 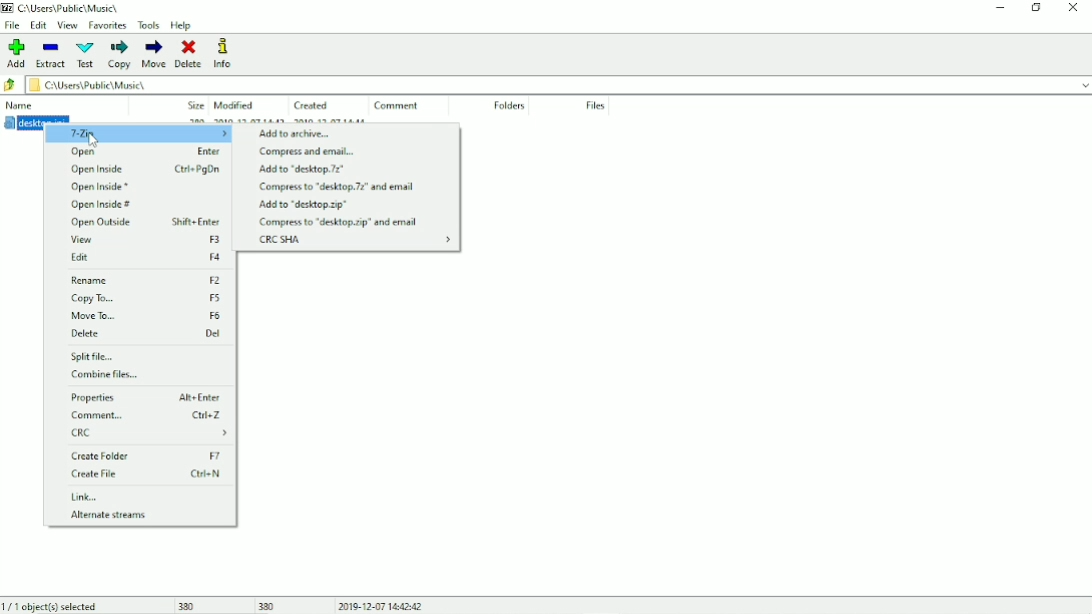 What do you see at coordinates (148, 434) in the screenshot?
I see `CRC` at bounding box center [148, 434].